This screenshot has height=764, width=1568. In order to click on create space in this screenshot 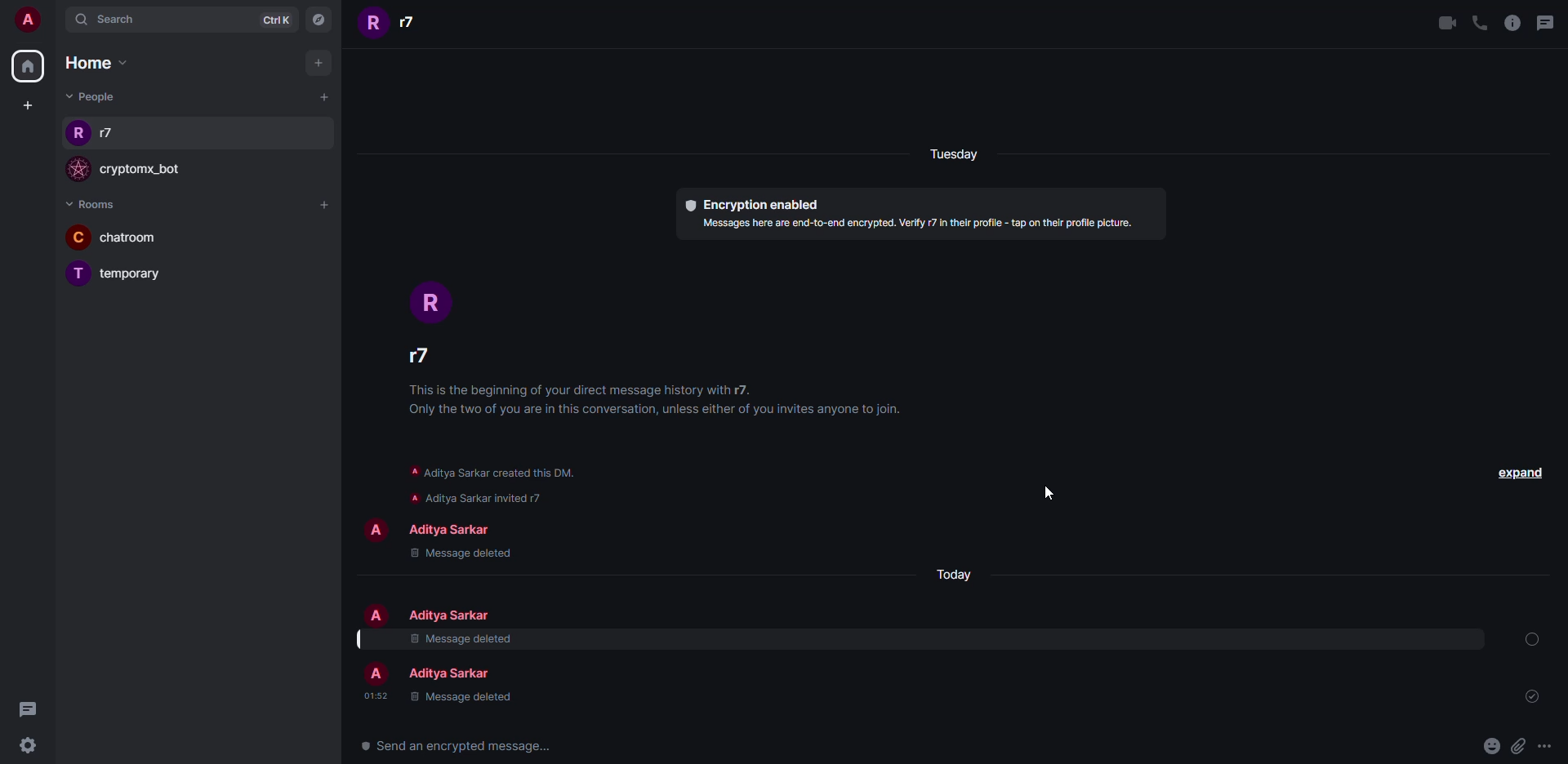, I will do `click(24, 104)`.